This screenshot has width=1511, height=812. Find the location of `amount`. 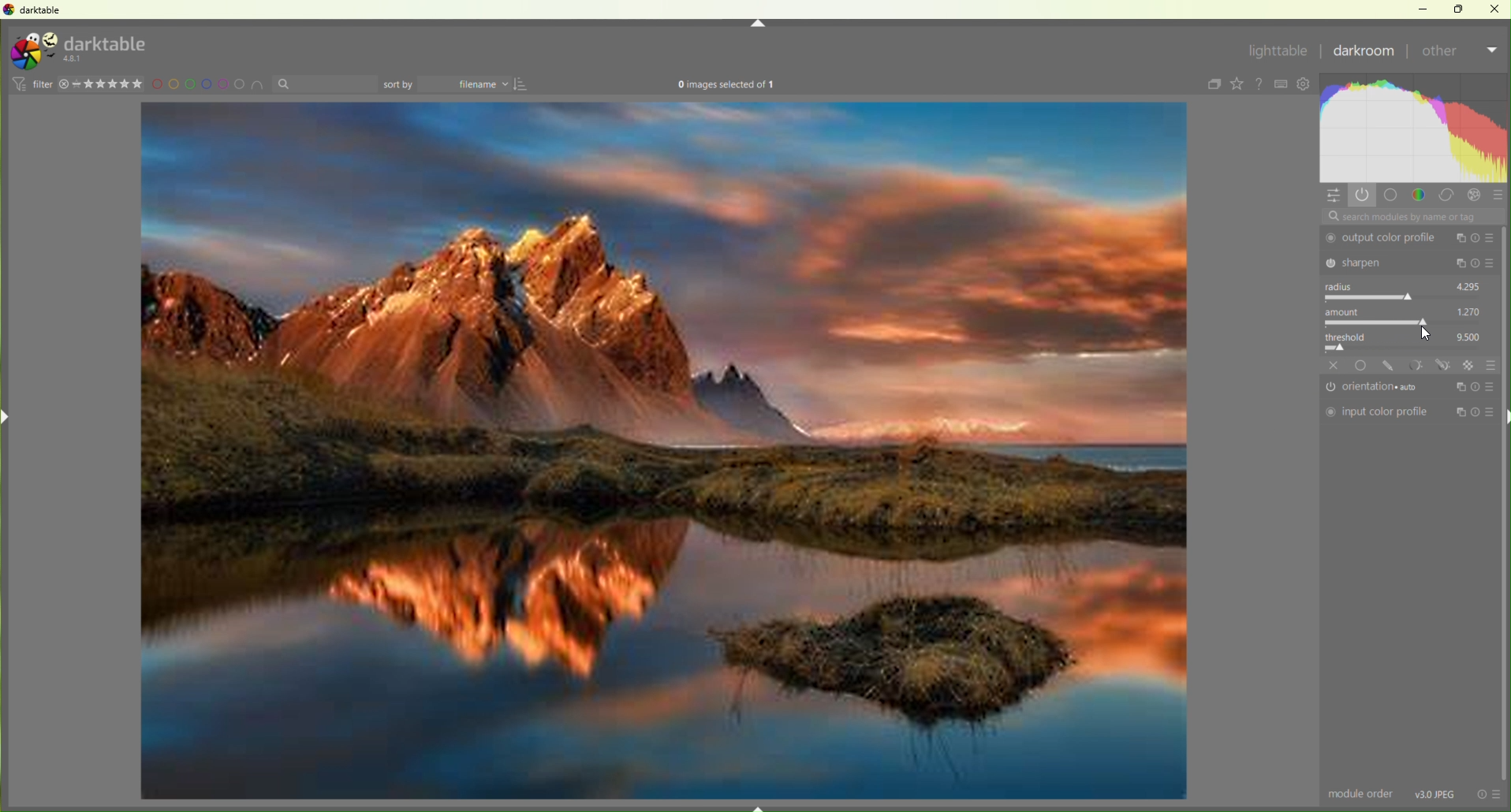

amount is located at coordinates (1347, 311).